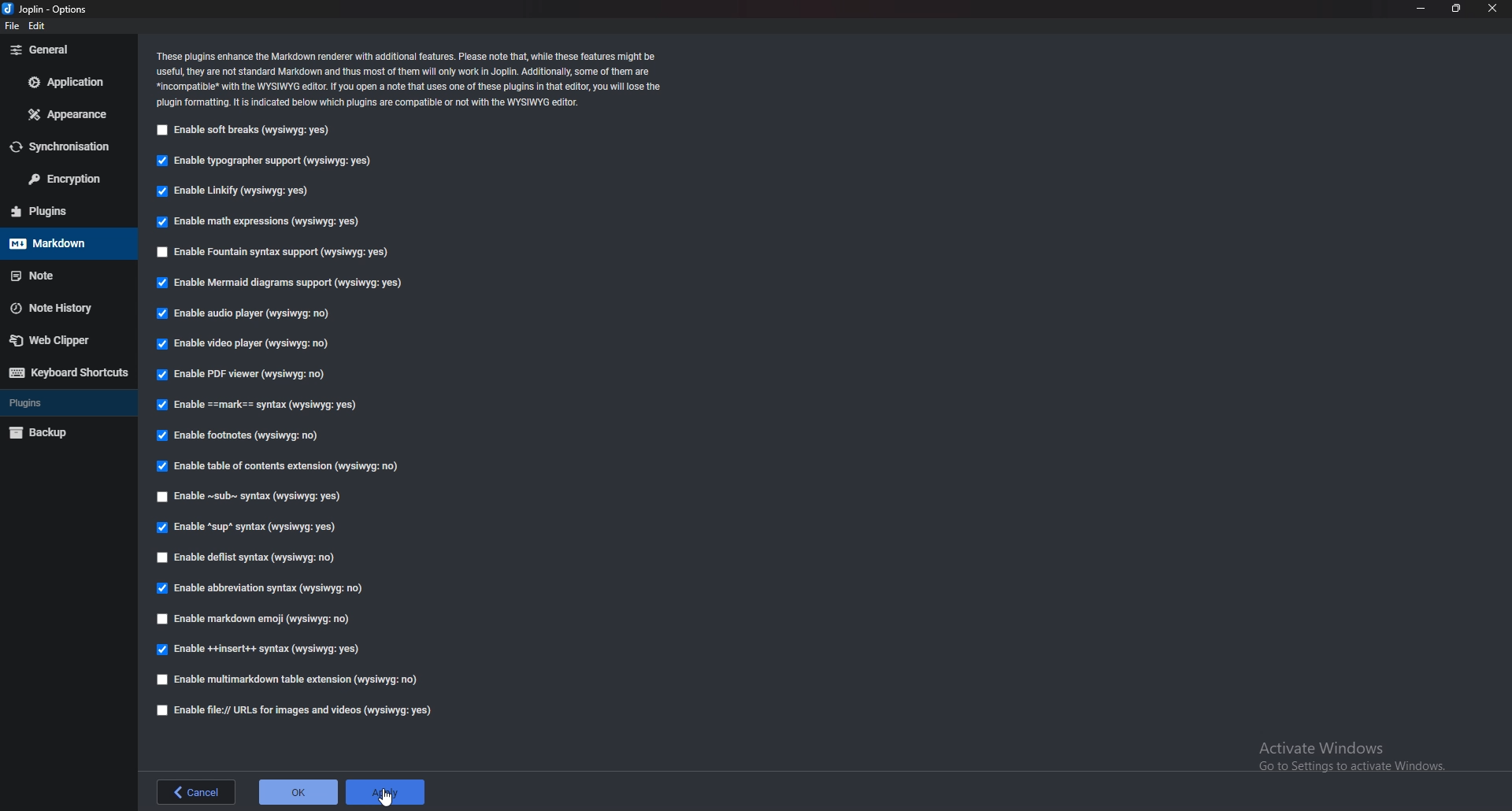 Image resolution: width=1512 pixels, height=811 pixels. What do you see at coordinates (63, 50) in the screenshot?
I see `general` at bounding box center [63, 50].